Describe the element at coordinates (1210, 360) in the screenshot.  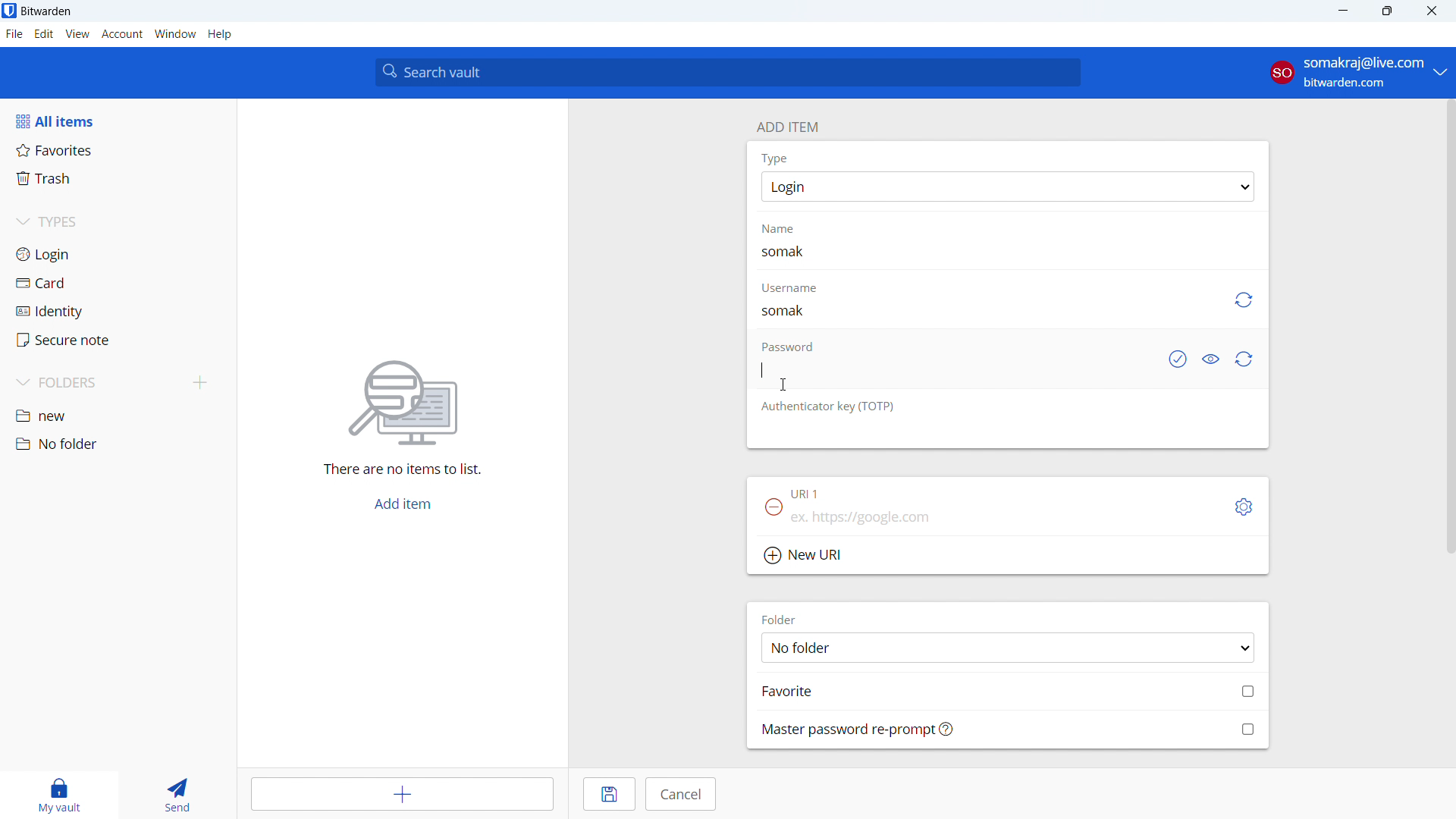
I see `toggle visibility` at that location.